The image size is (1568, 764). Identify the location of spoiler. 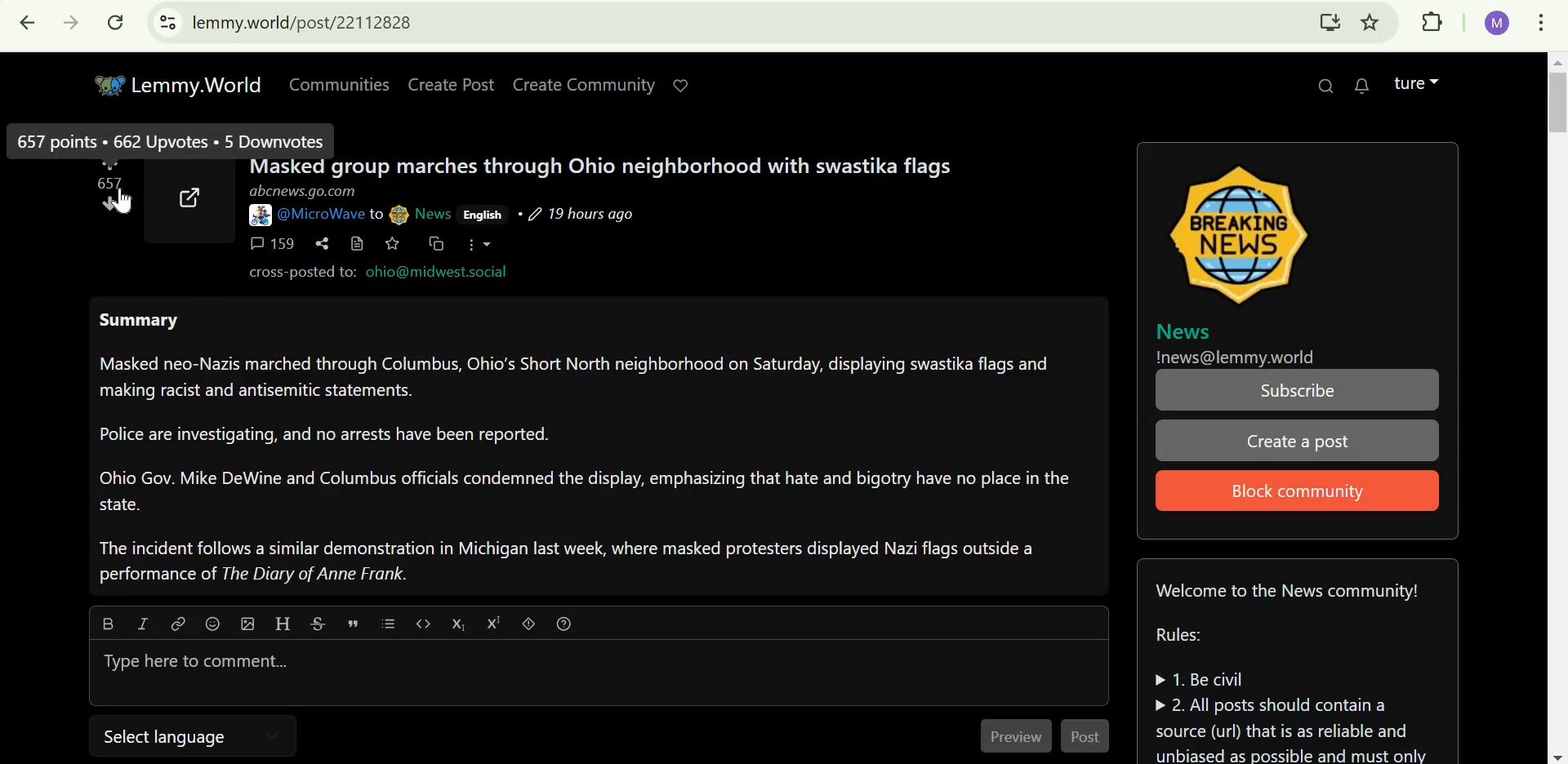
(528, 624).